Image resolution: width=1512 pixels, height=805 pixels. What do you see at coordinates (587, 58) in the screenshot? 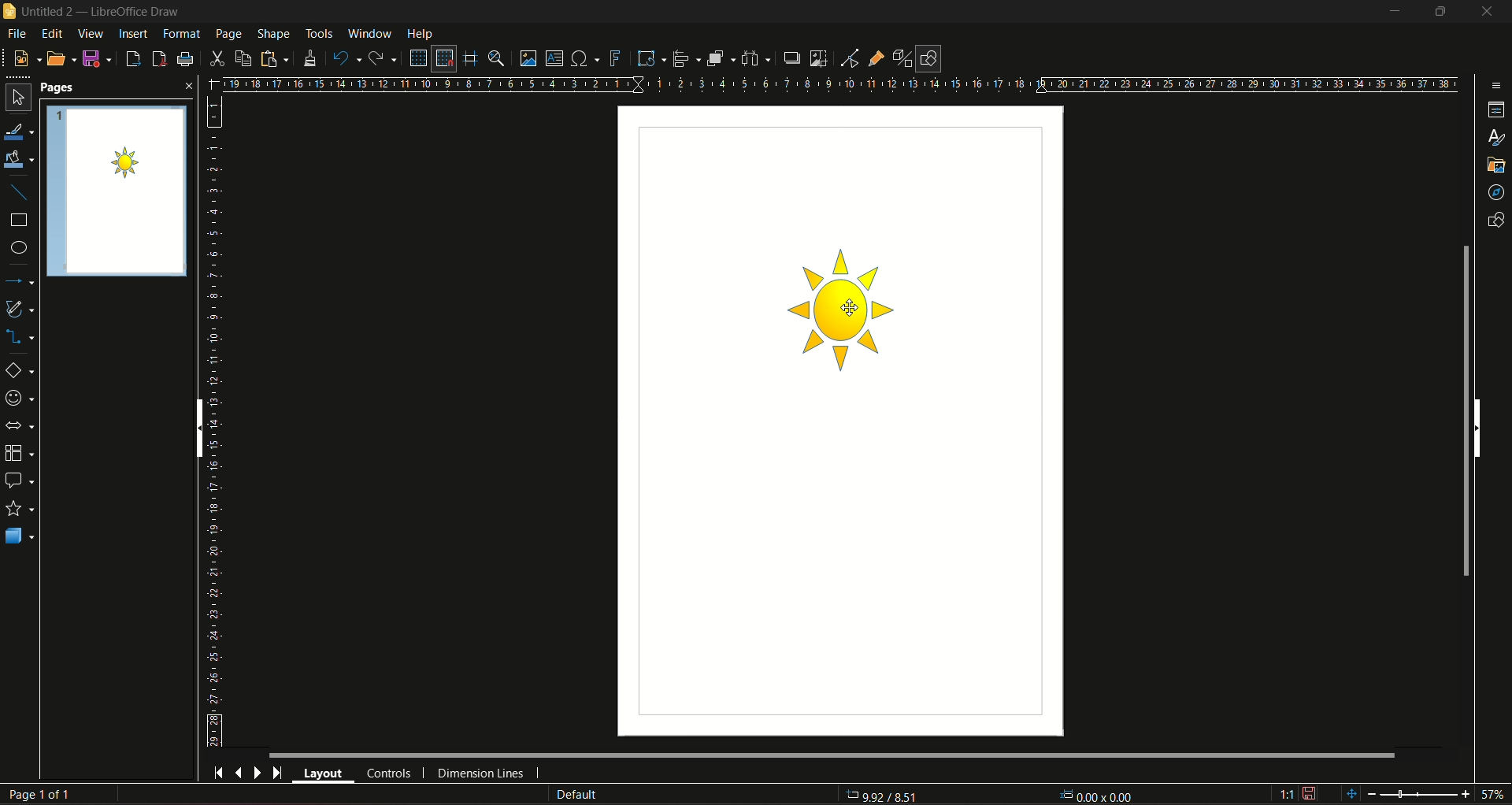
I see `insert special character` at bounding box center [587, 58].